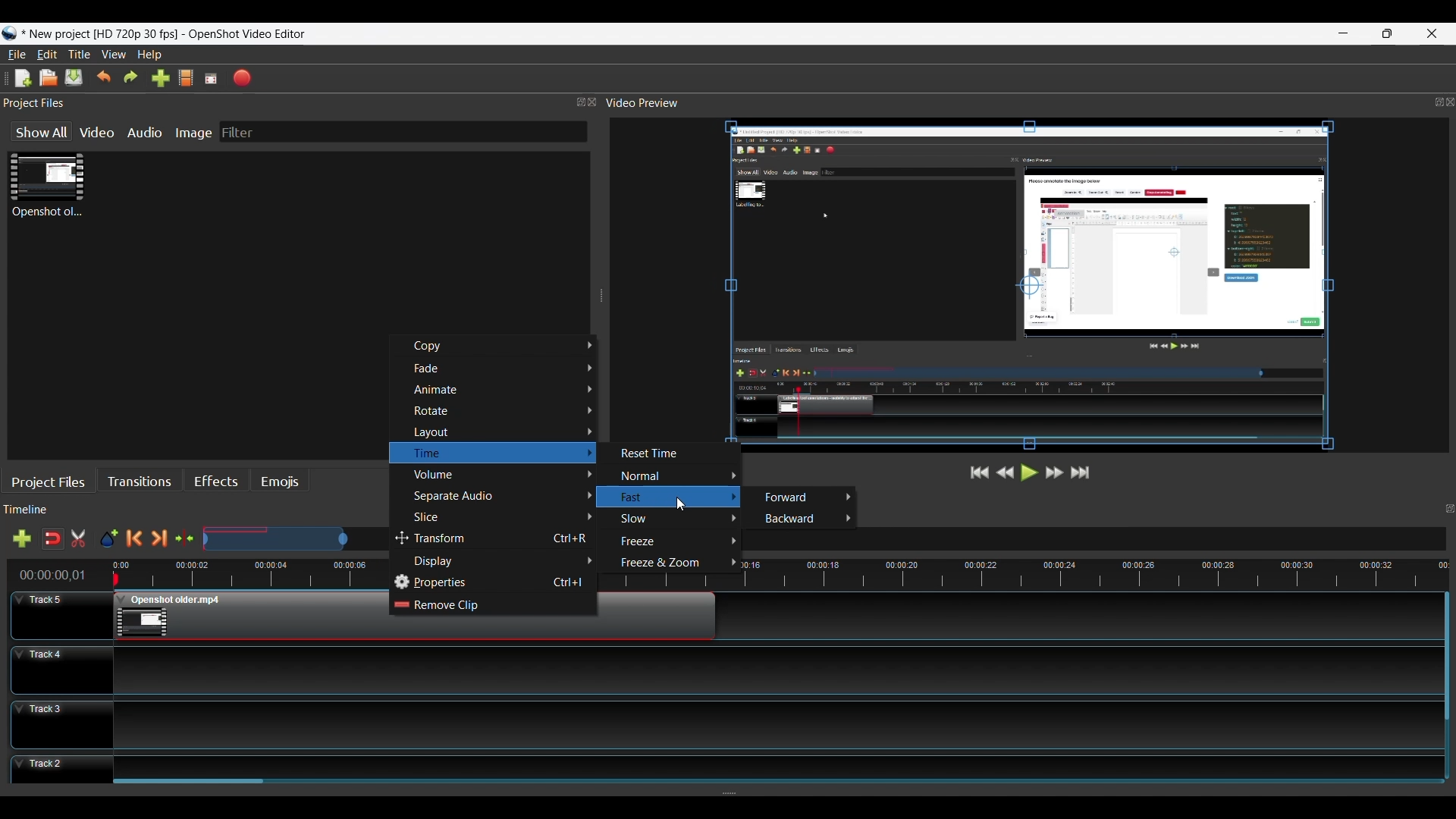 Image resolution: width=1456 pixels, height=819 pixels. Describe the element at coordinates (104, 78) in the screenshot. I see `Undo` at that location.